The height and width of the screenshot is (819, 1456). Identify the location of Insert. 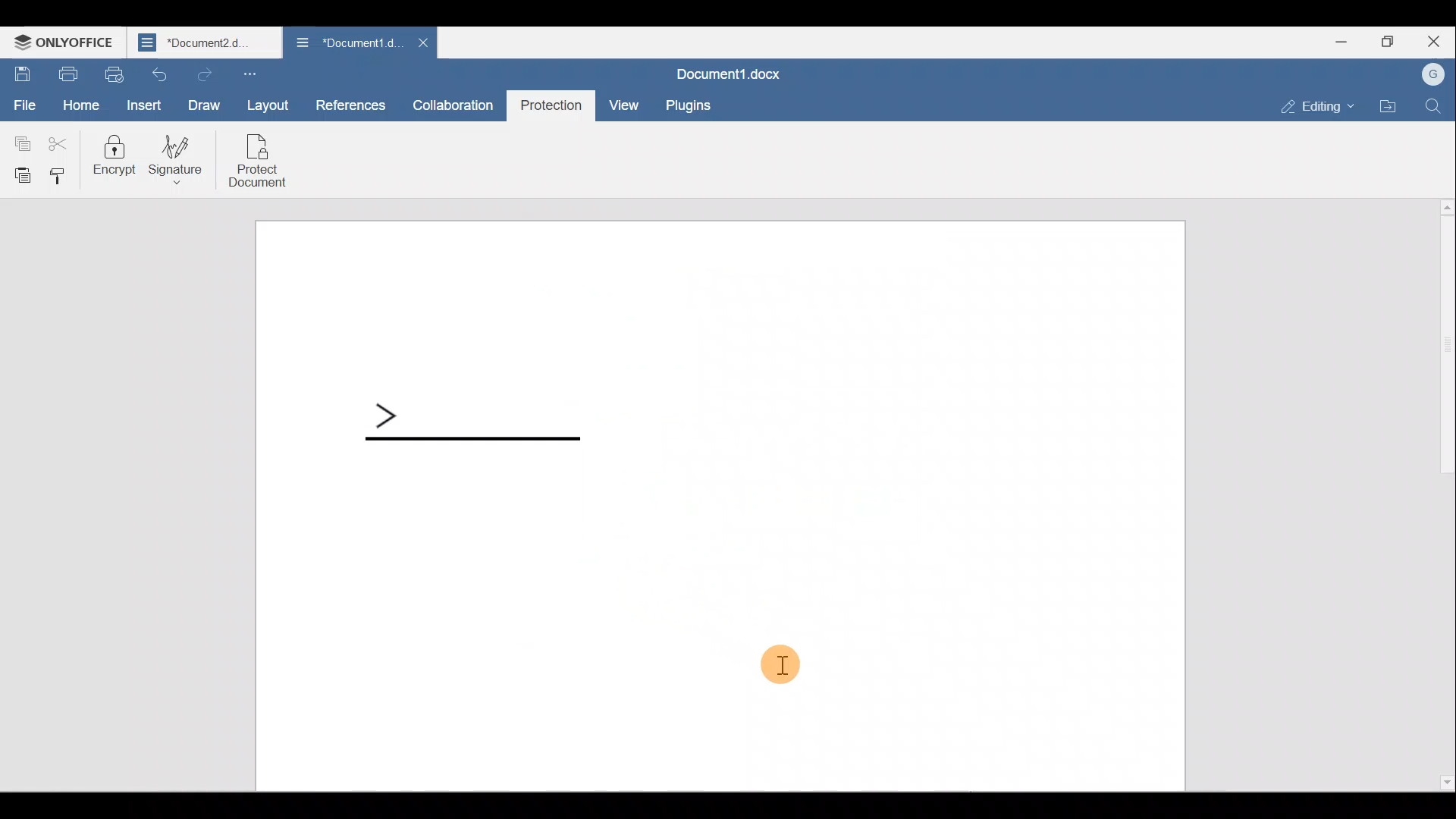
(146, 105).